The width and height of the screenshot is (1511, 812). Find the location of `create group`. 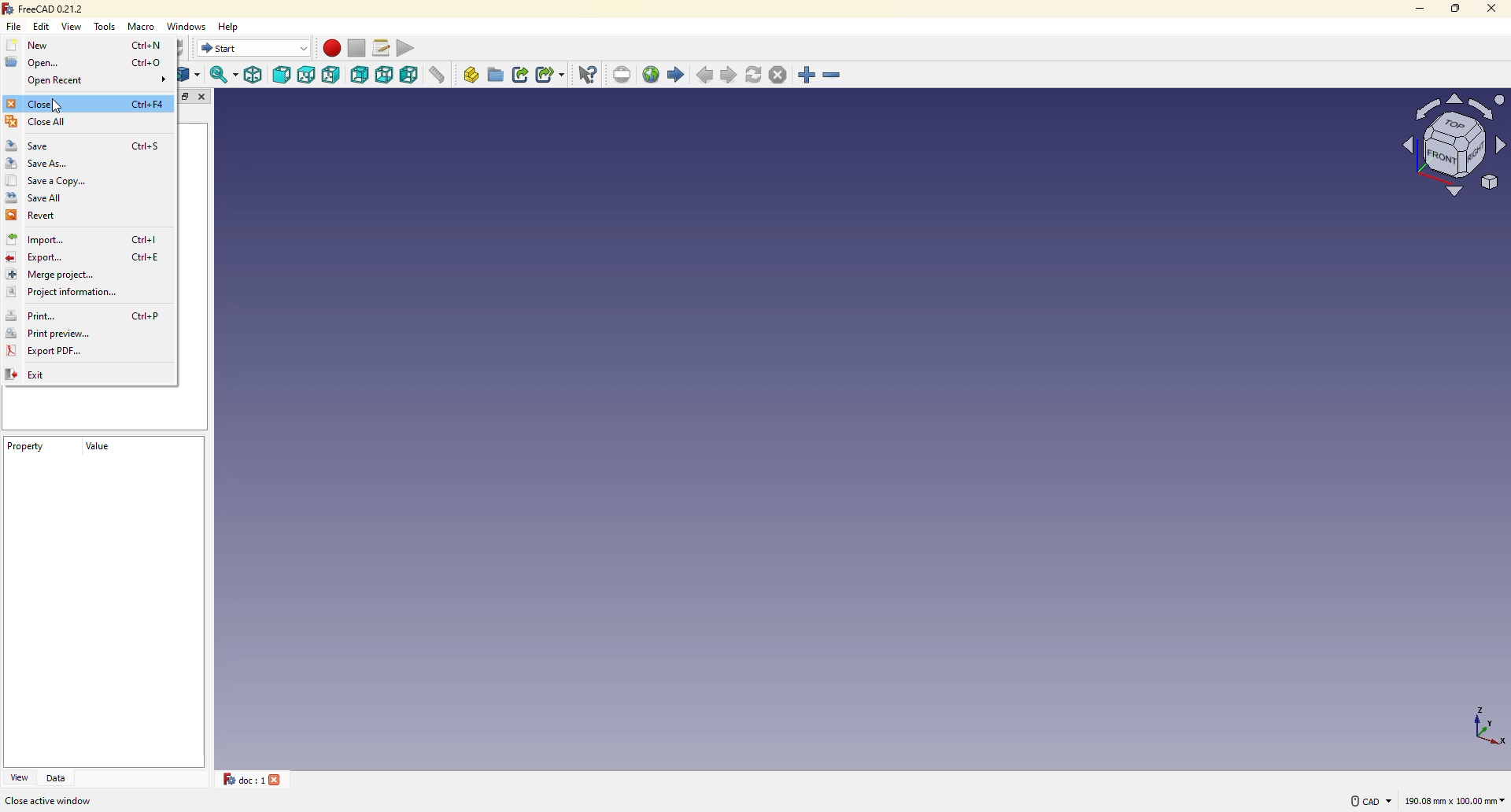

create group is located at coordinates (497, 74).